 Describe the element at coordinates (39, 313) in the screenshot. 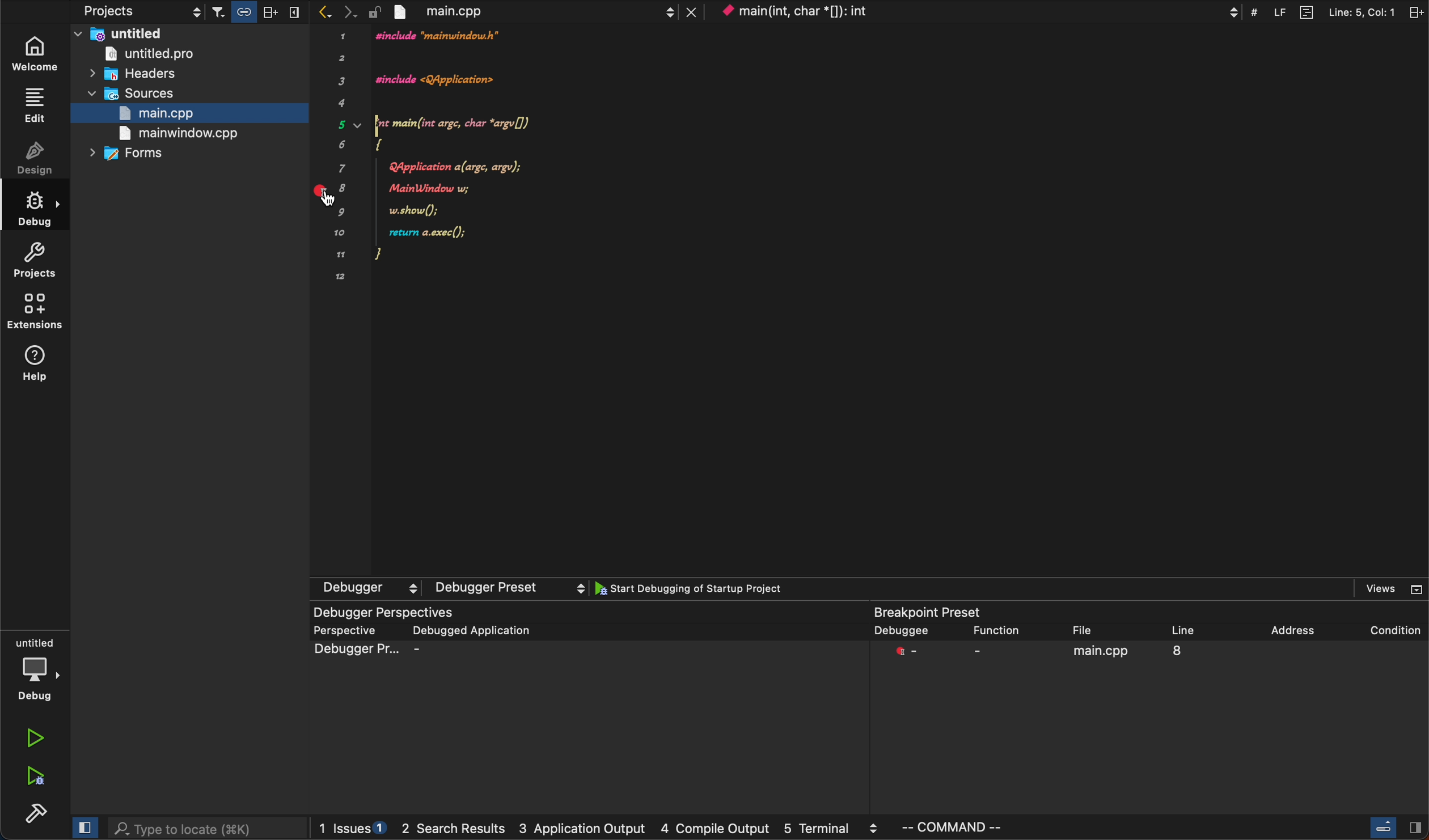

I see `extensions` at that location.